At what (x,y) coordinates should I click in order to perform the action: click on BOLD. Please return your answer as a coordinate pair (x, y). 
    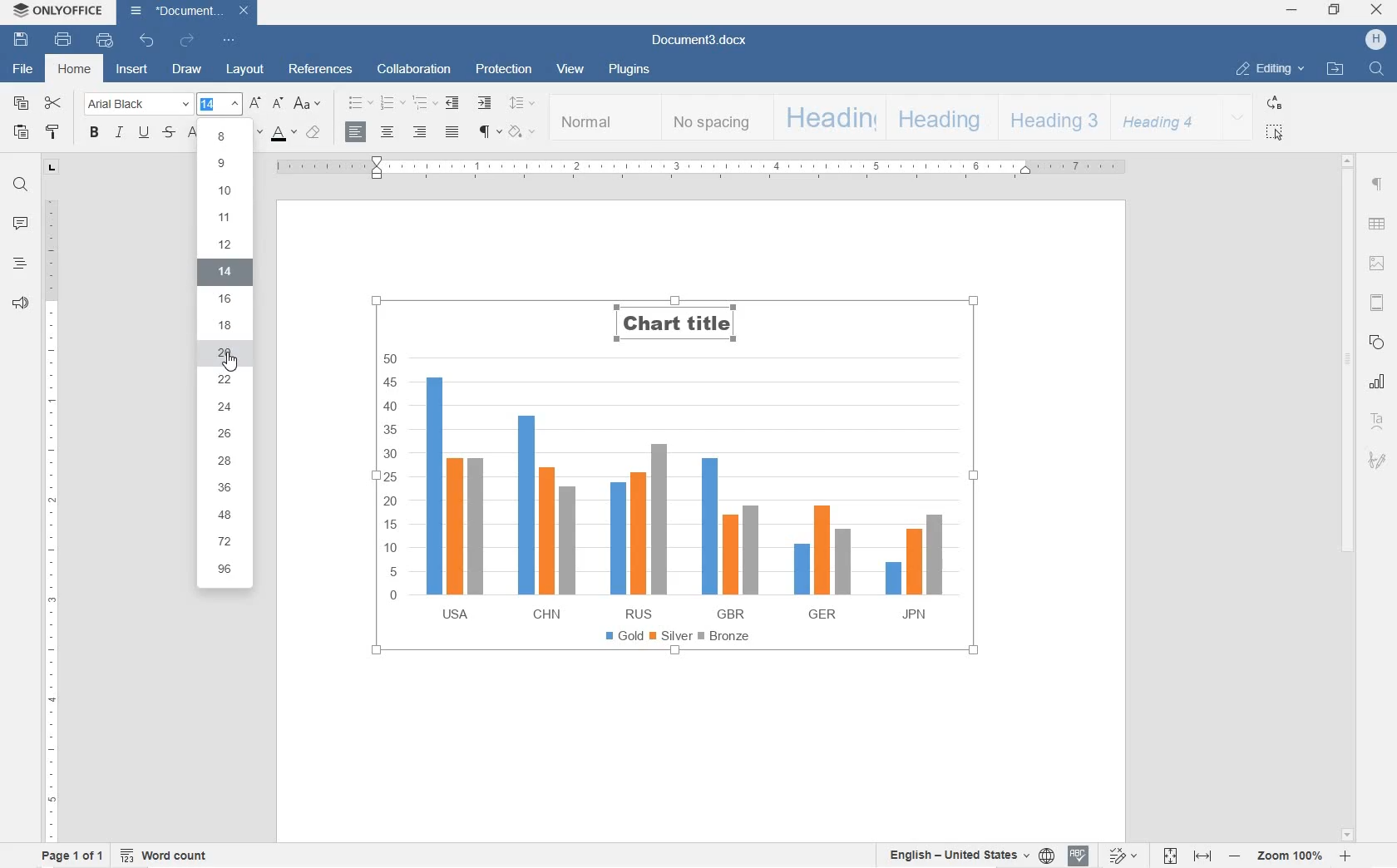
    Looking at the image, I should click on (94, 133).